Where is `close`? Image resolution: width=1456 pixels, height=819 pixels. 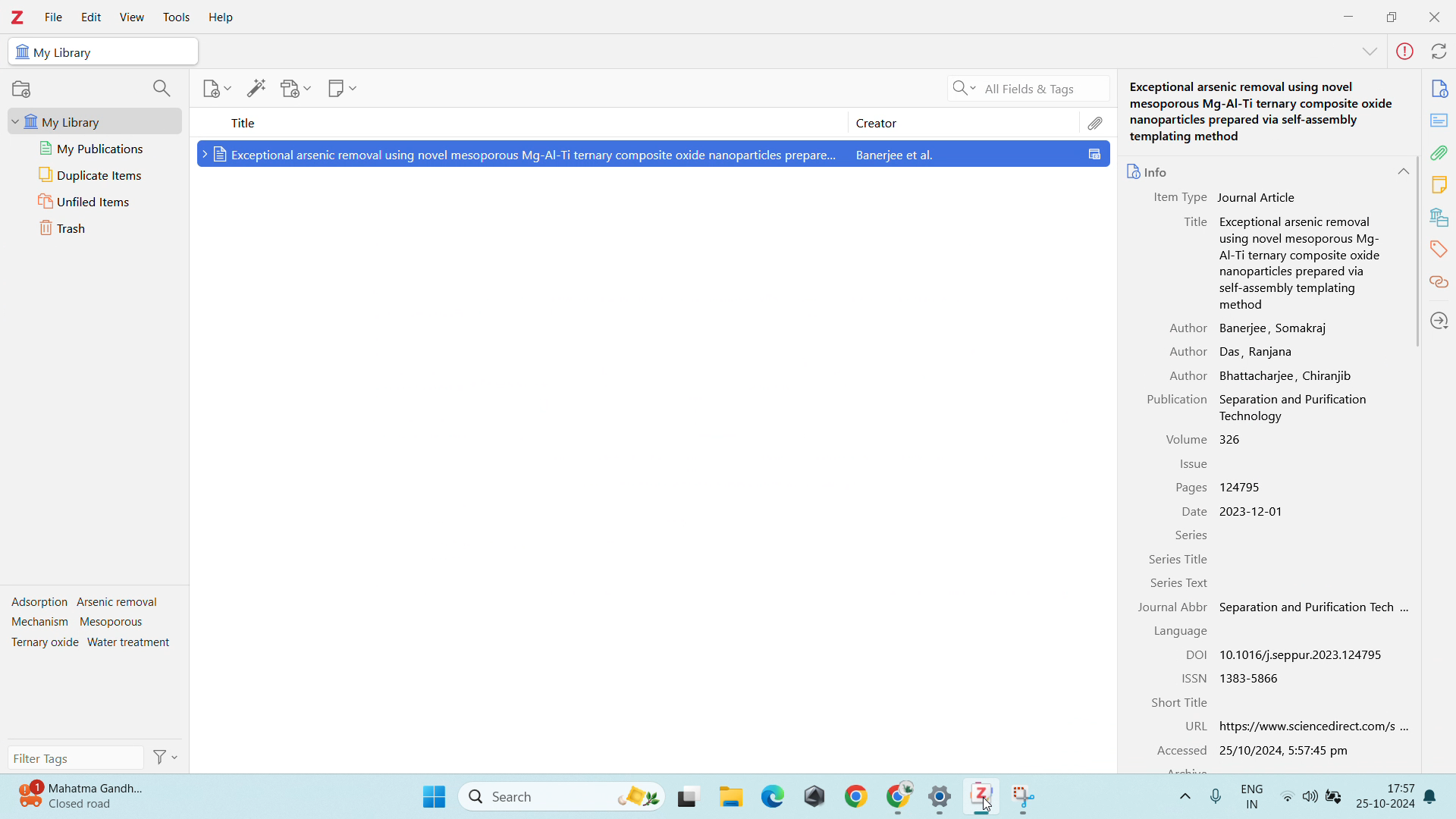 close is located at coordinates (1433, 16).